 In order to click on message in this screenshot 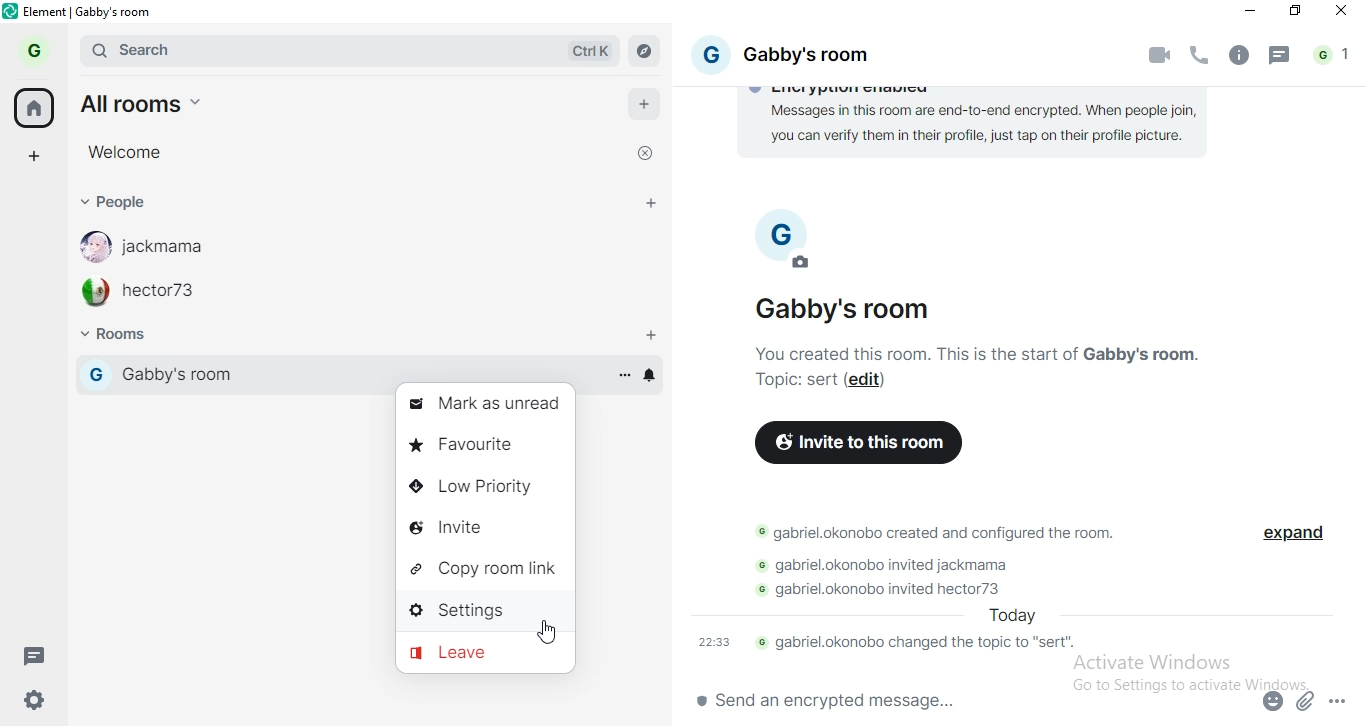, I will do `click(40, 658)`.